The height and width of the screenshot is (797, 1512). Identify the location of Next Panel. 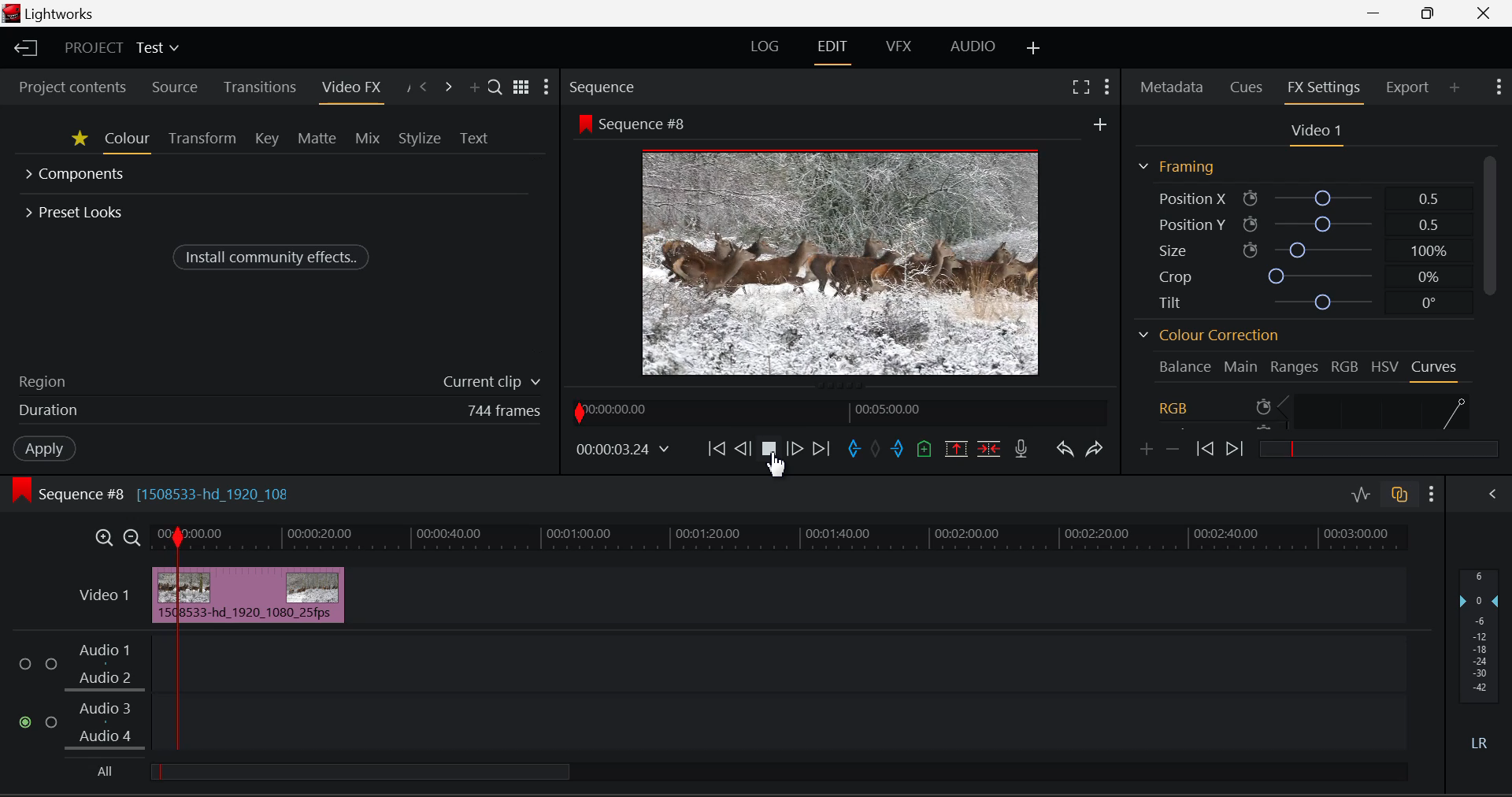
(448, 85).